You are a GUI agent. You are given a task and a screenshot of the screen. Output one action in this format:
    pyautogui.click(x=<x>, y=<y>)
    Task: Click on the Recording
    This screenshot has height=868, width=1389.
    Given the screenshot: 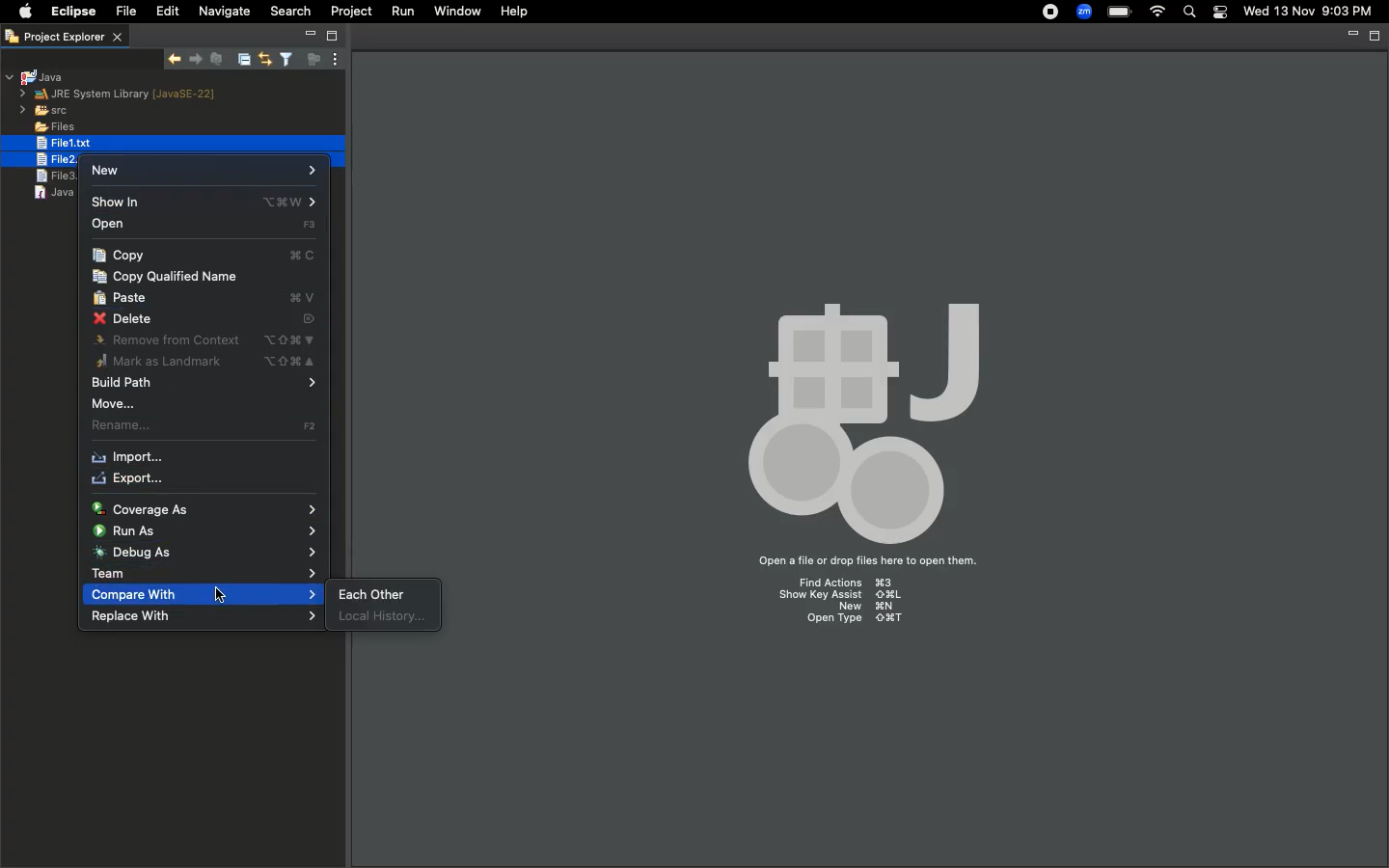 What is the action you would take?
    pyautogui.click(x=1046, y=14)
    